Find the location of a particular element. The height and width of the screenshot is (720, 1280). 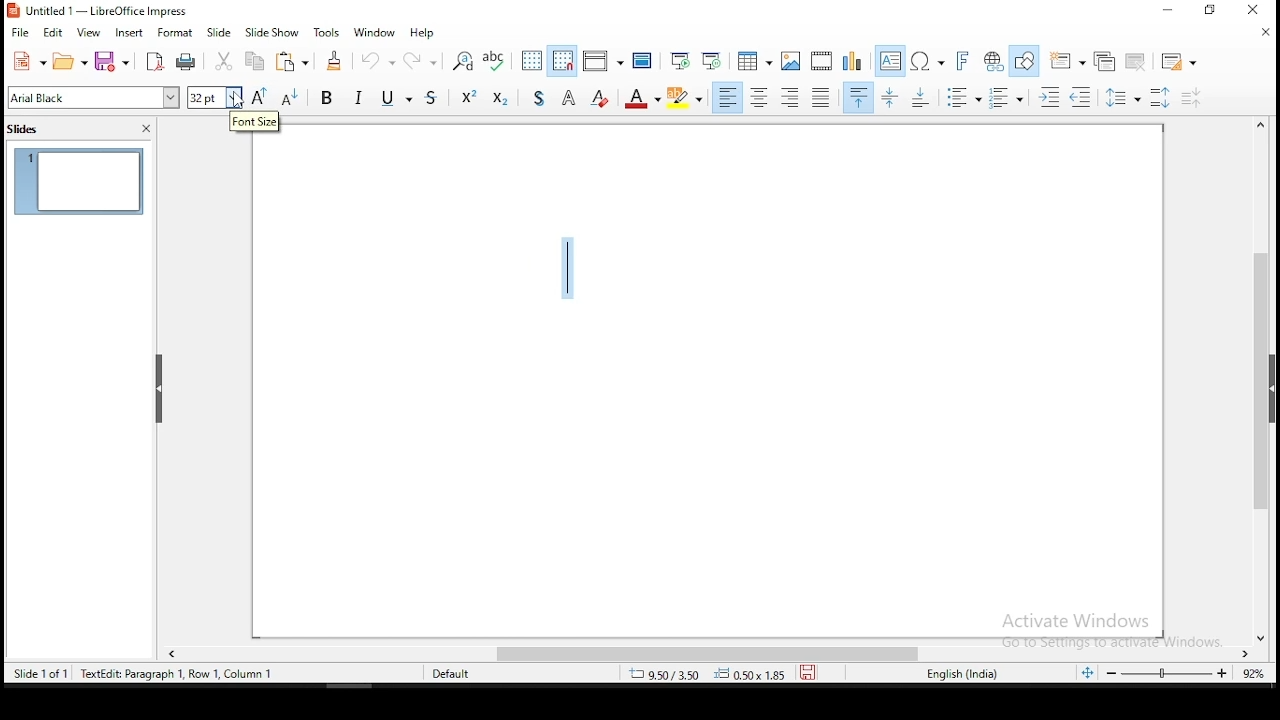

cursor is located at coordinates (239, 102).